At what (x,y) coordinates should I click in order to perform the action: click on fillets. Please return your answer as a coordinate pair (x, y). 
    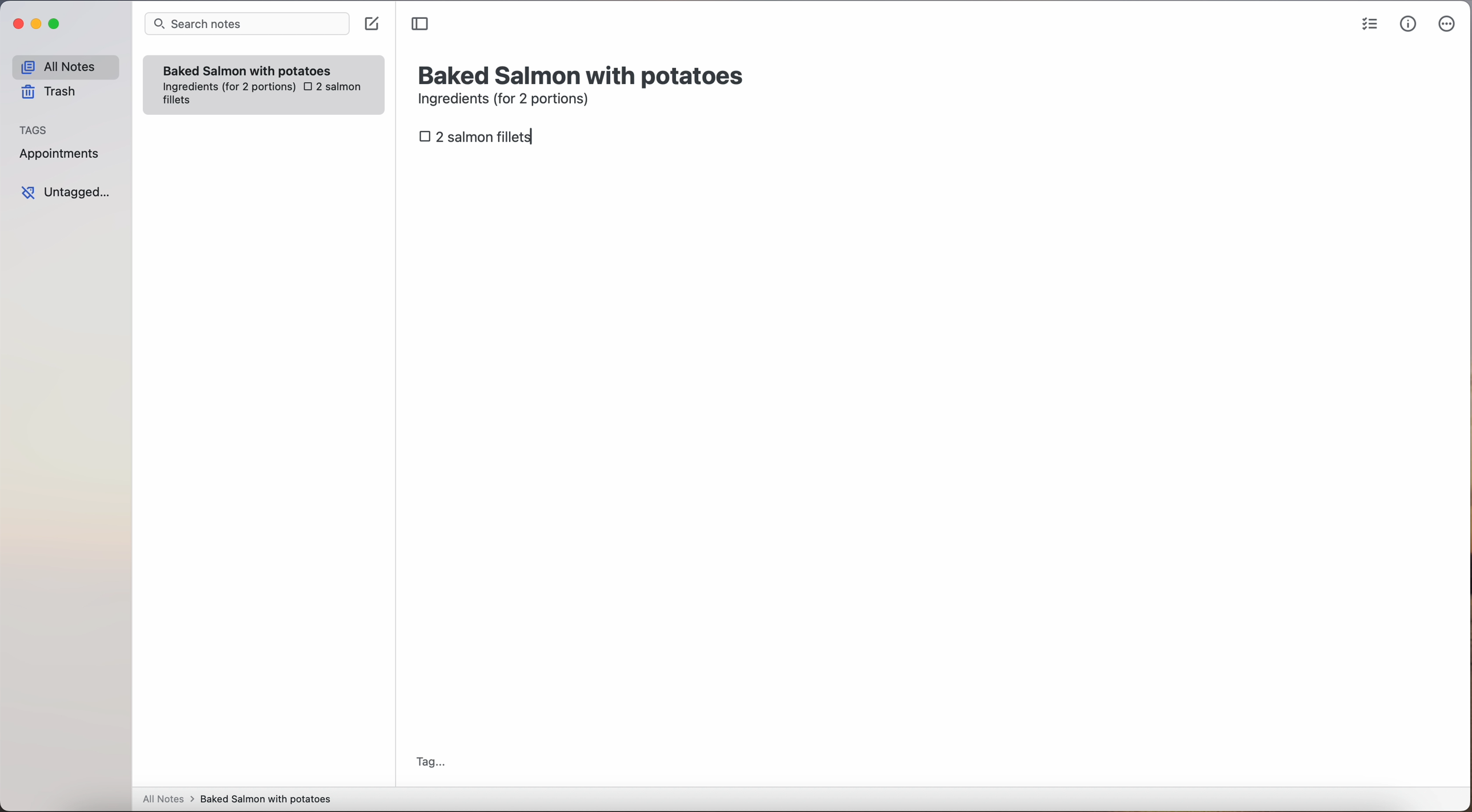
    Looking at the image, I should click on (178, 102).